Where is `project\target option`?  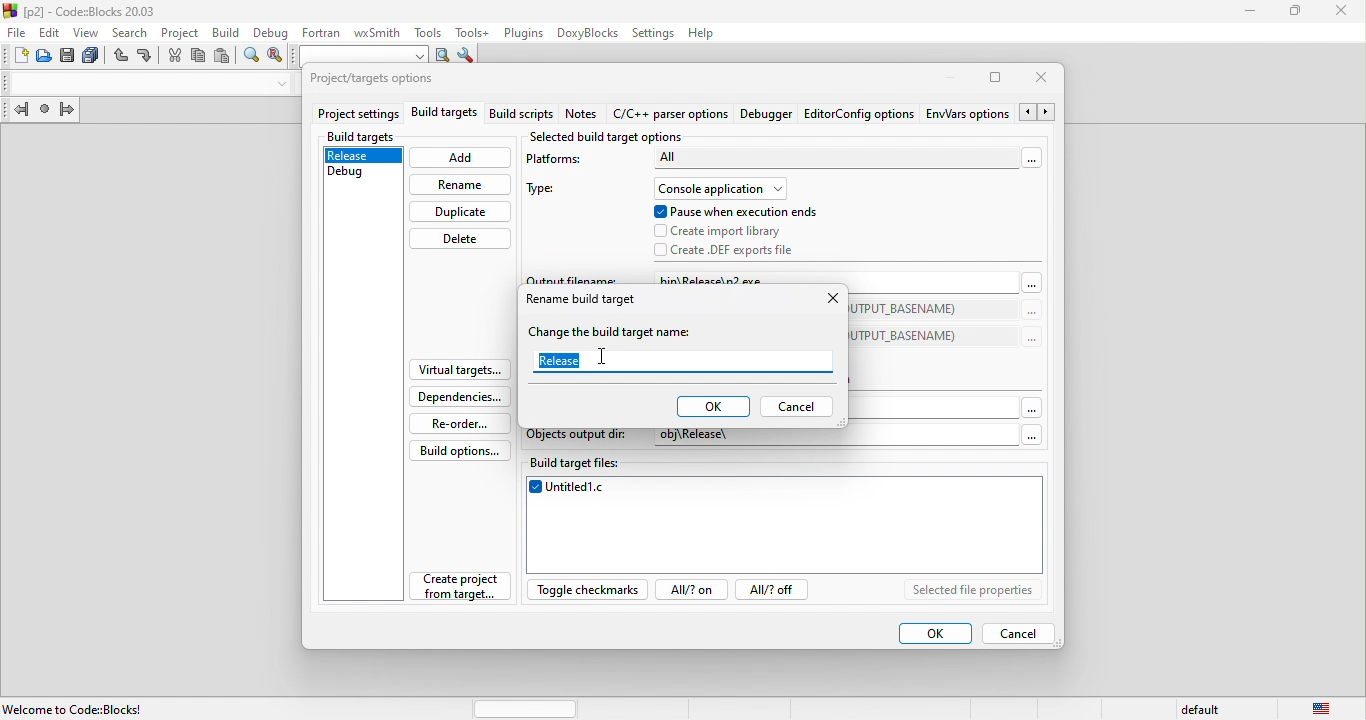 project\target option is located at coordinates (372, 80).